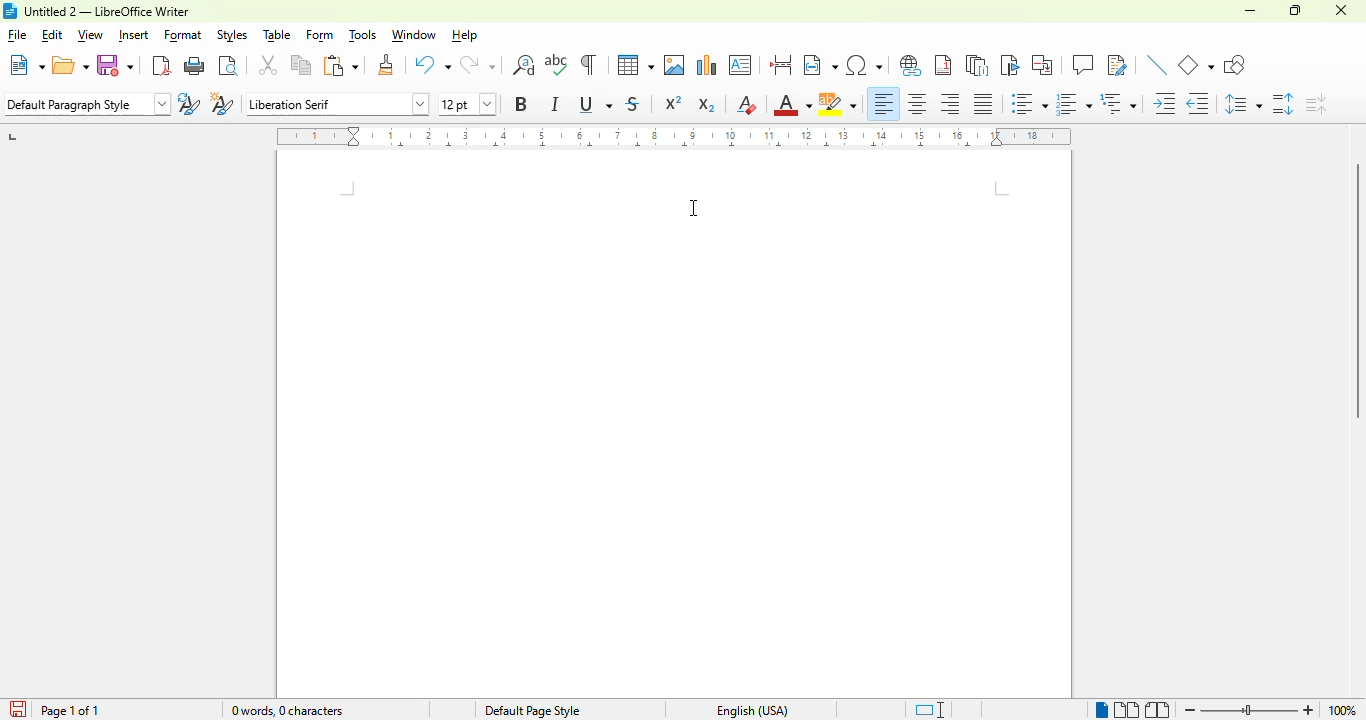  Describe the element at coordinates (595, 104) in the screenshot. I see `underline` at that location.